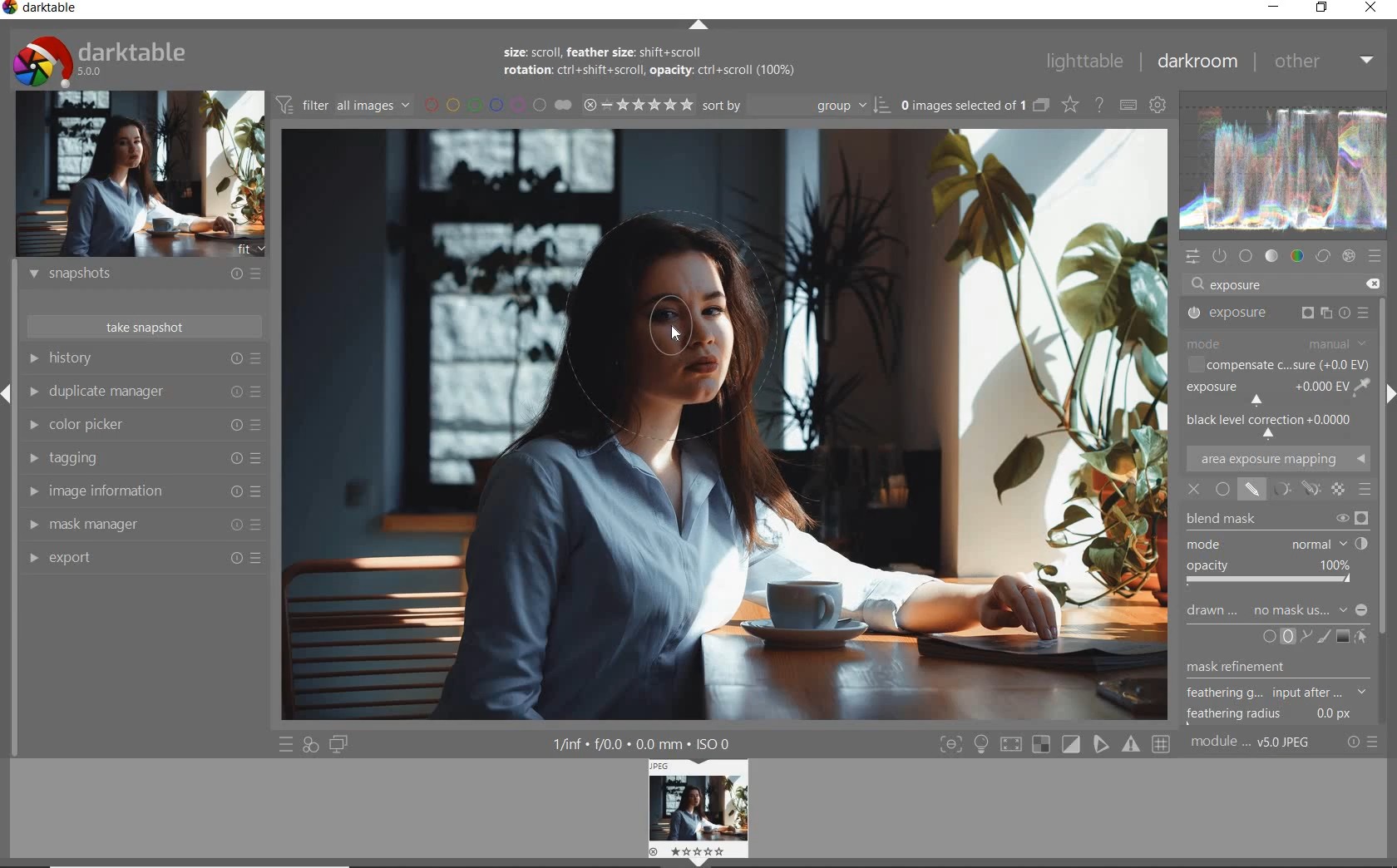 This screenshot has height=868, width=1397. What do you see at coordinates (1298, 256) in the screenshot?
I see `color` at bounding box center [1298, 256].